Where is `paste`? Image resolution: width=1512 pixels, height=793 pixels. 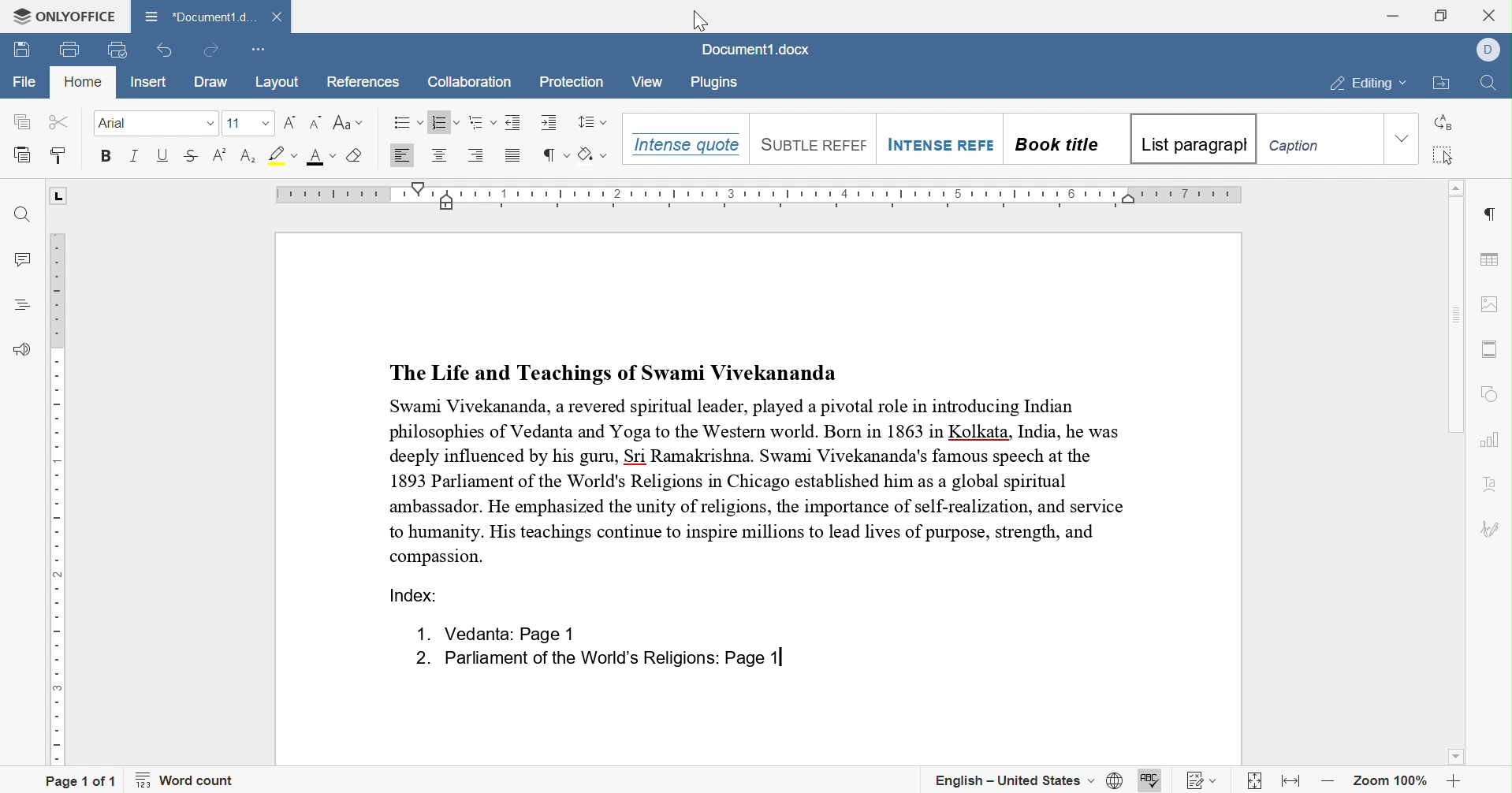 paste is located at coordinates (23, 154).